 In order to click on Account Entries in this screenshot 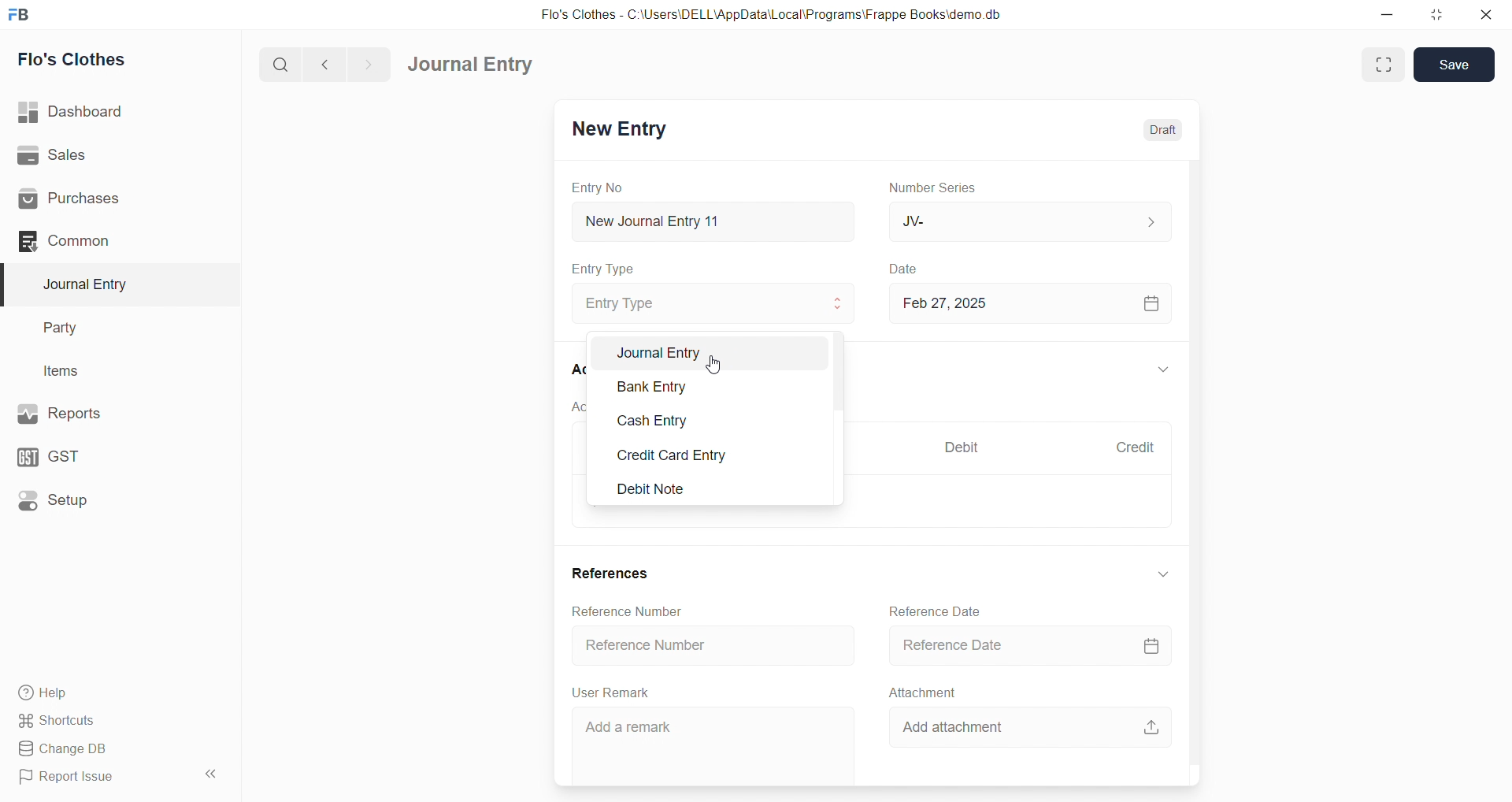, I will do `click(576, 406)`.